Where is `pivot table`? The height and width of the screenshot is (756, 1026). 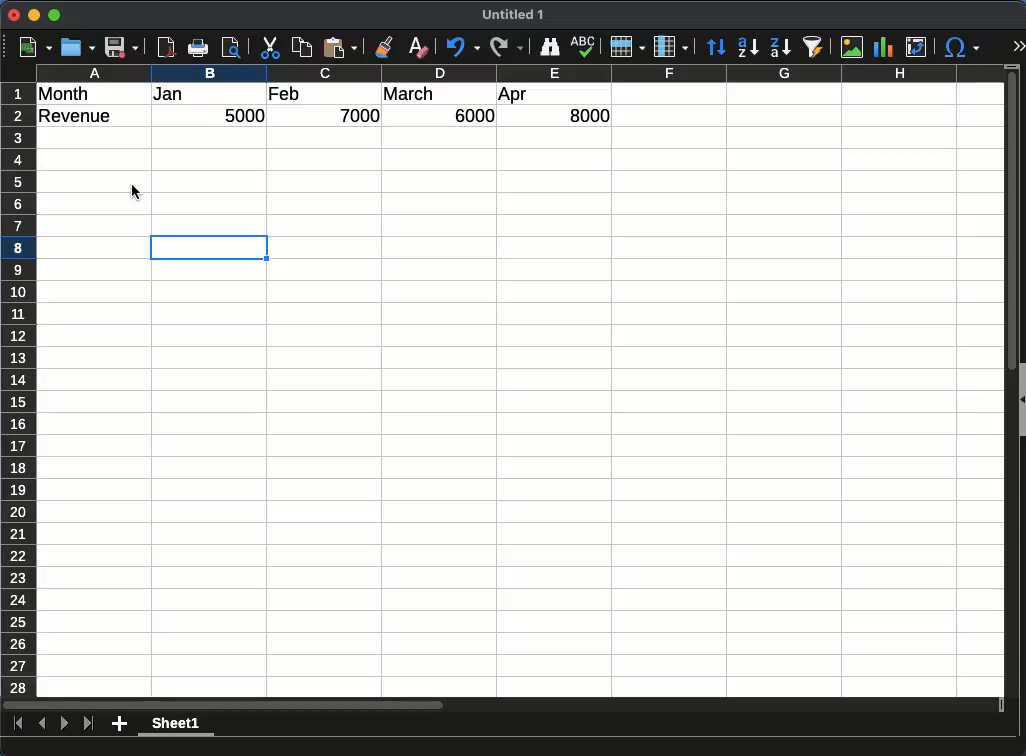 pivot table is located at coordinates (916, 47).